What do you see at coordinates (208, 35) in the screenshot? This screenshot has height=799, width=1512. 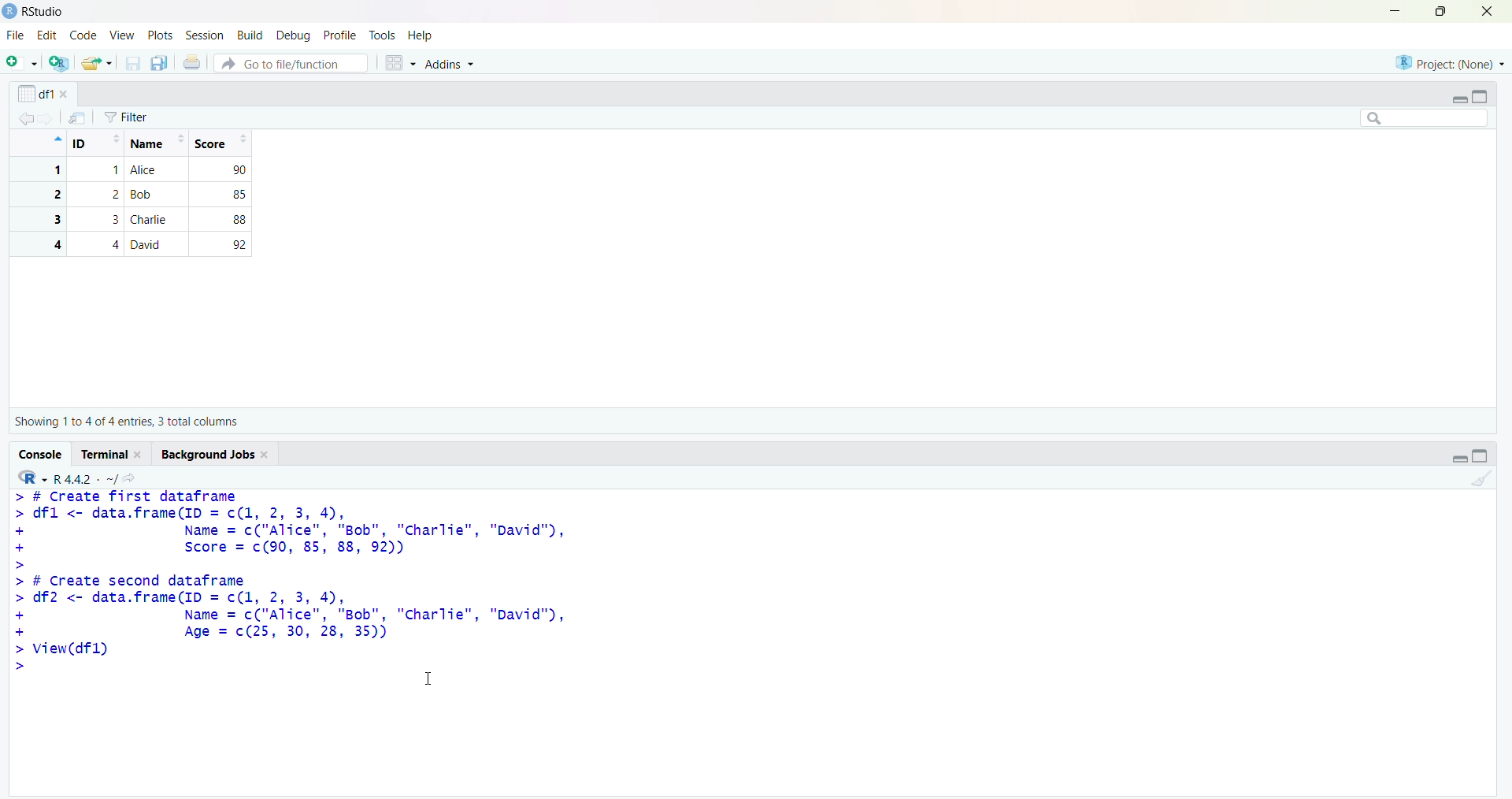 I see `session` at bounding box center [208, 35].